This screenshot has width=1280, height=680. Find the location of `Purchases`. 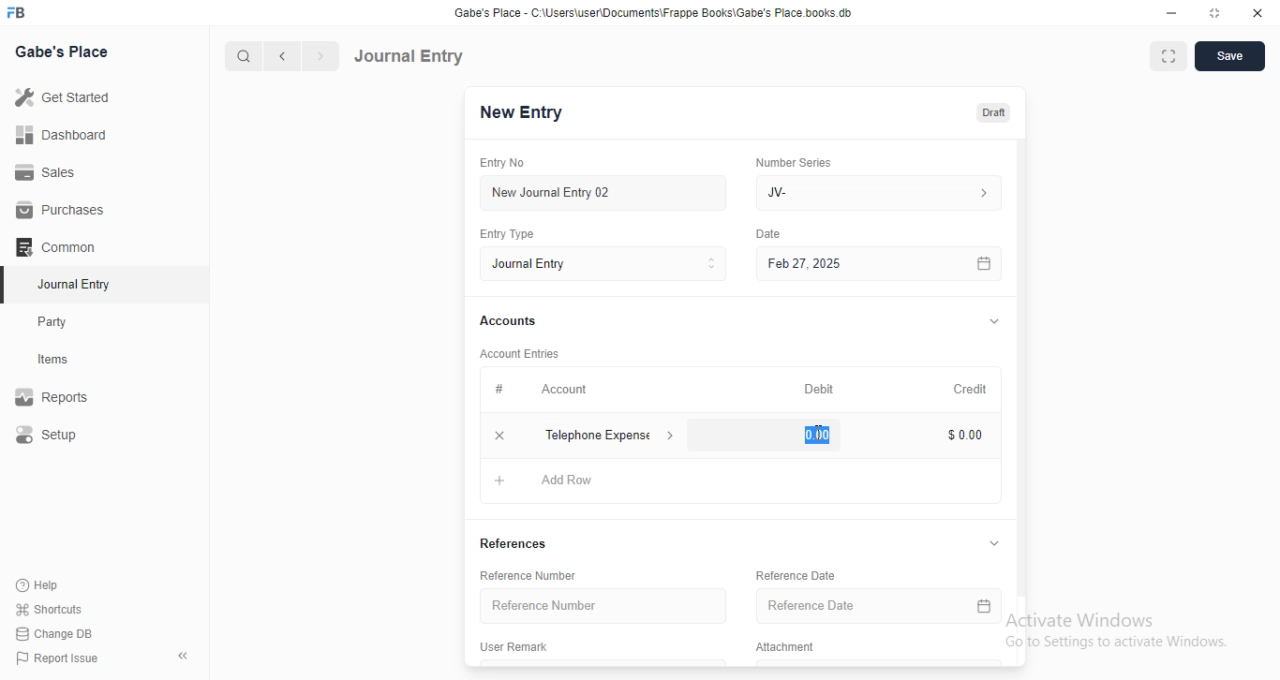

Purchases is located at coordinates (56, 208).